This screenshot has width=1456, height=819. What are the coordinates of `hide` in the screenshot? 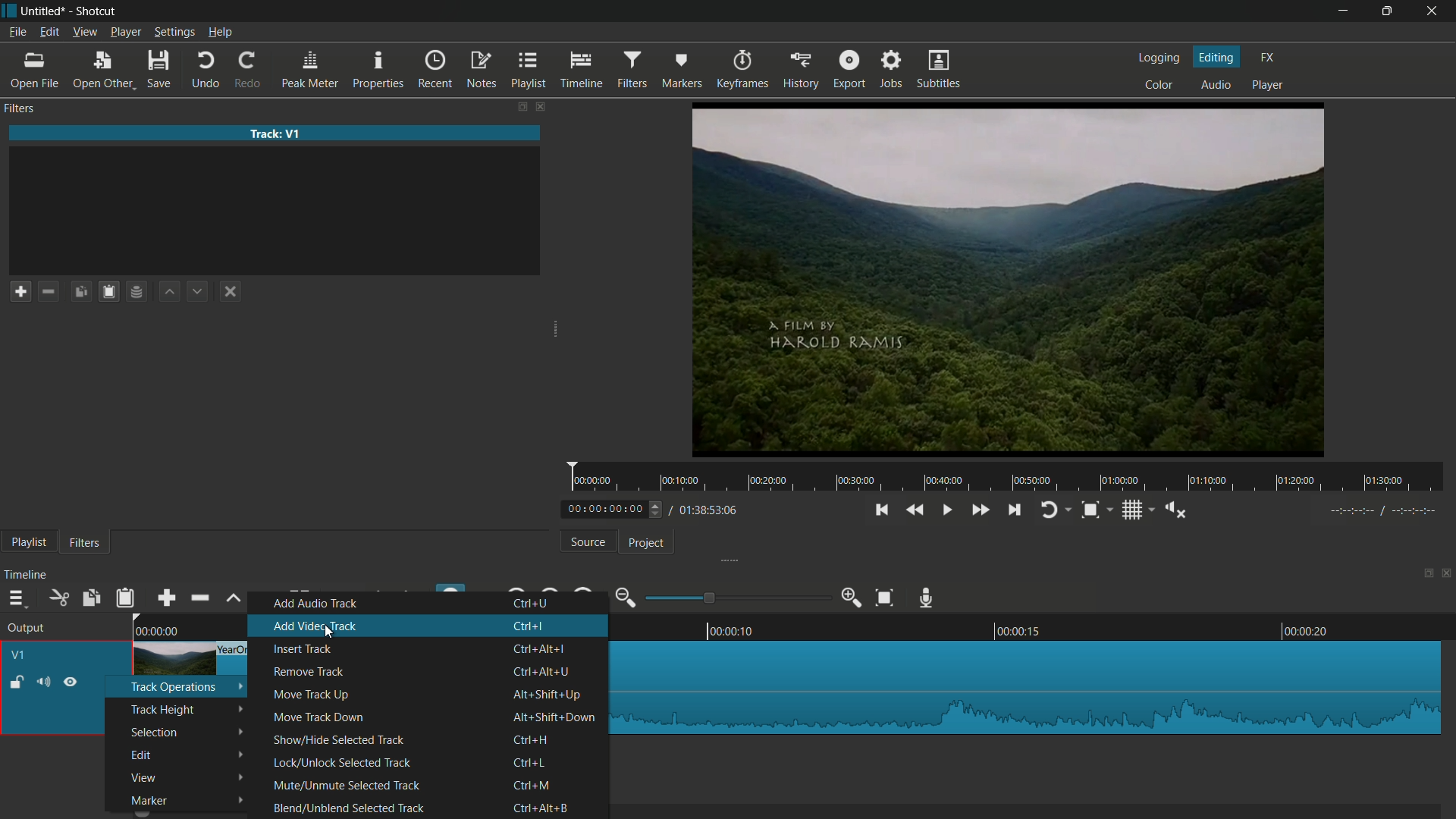 It's located at (70, 682).